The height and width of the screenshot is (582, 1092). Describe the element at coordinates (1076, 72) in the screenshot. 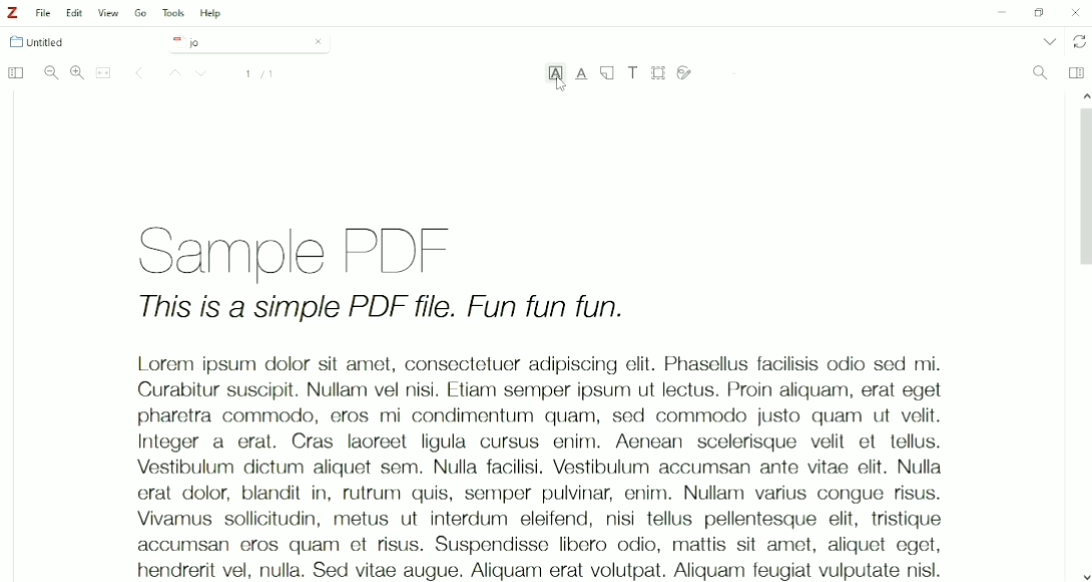

I see `Toggle Context Pane` at that location.